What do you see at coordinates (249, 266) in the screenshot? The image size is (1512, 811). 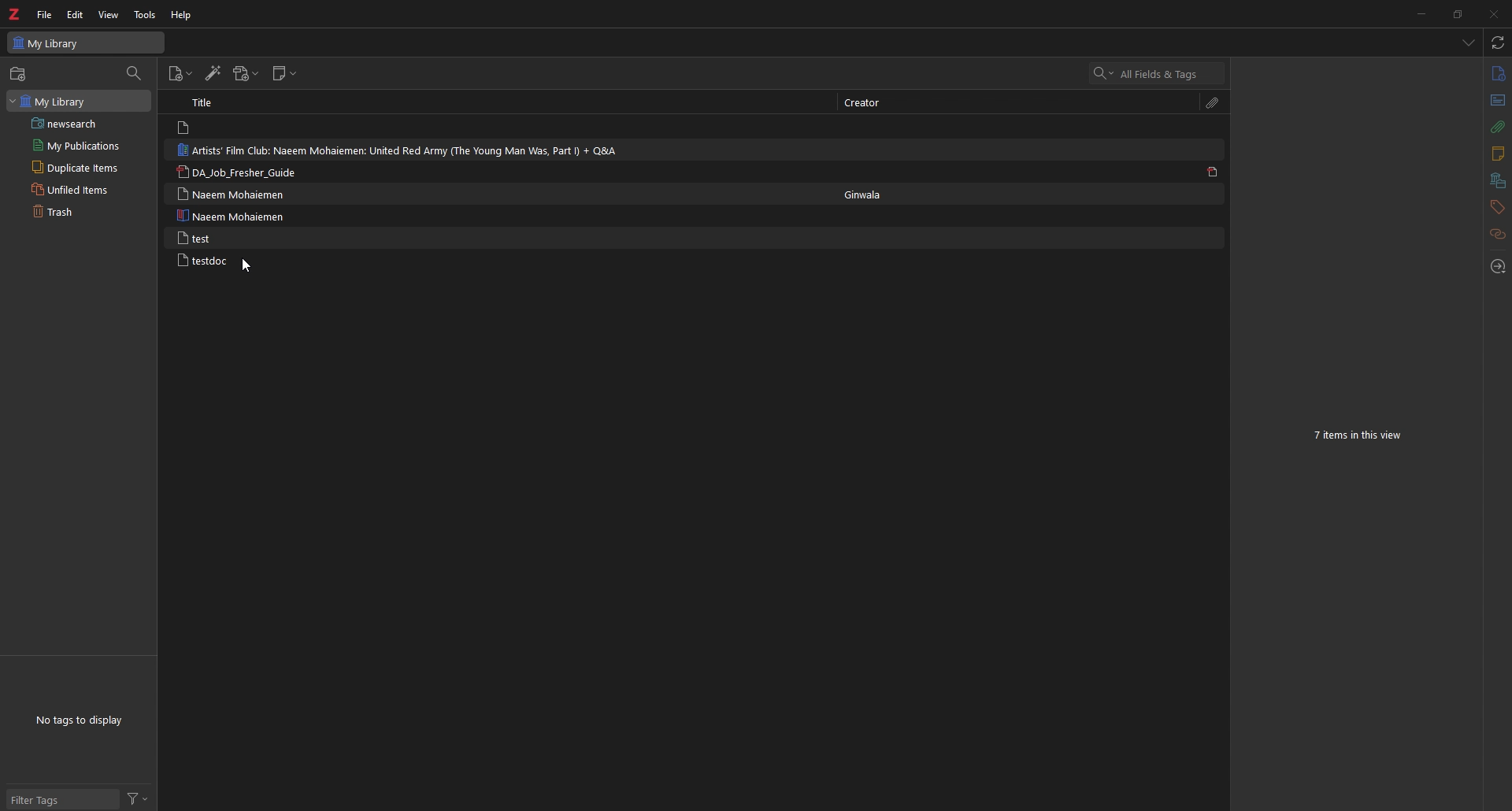 I see `cursor` at bounding box center [249, 266].